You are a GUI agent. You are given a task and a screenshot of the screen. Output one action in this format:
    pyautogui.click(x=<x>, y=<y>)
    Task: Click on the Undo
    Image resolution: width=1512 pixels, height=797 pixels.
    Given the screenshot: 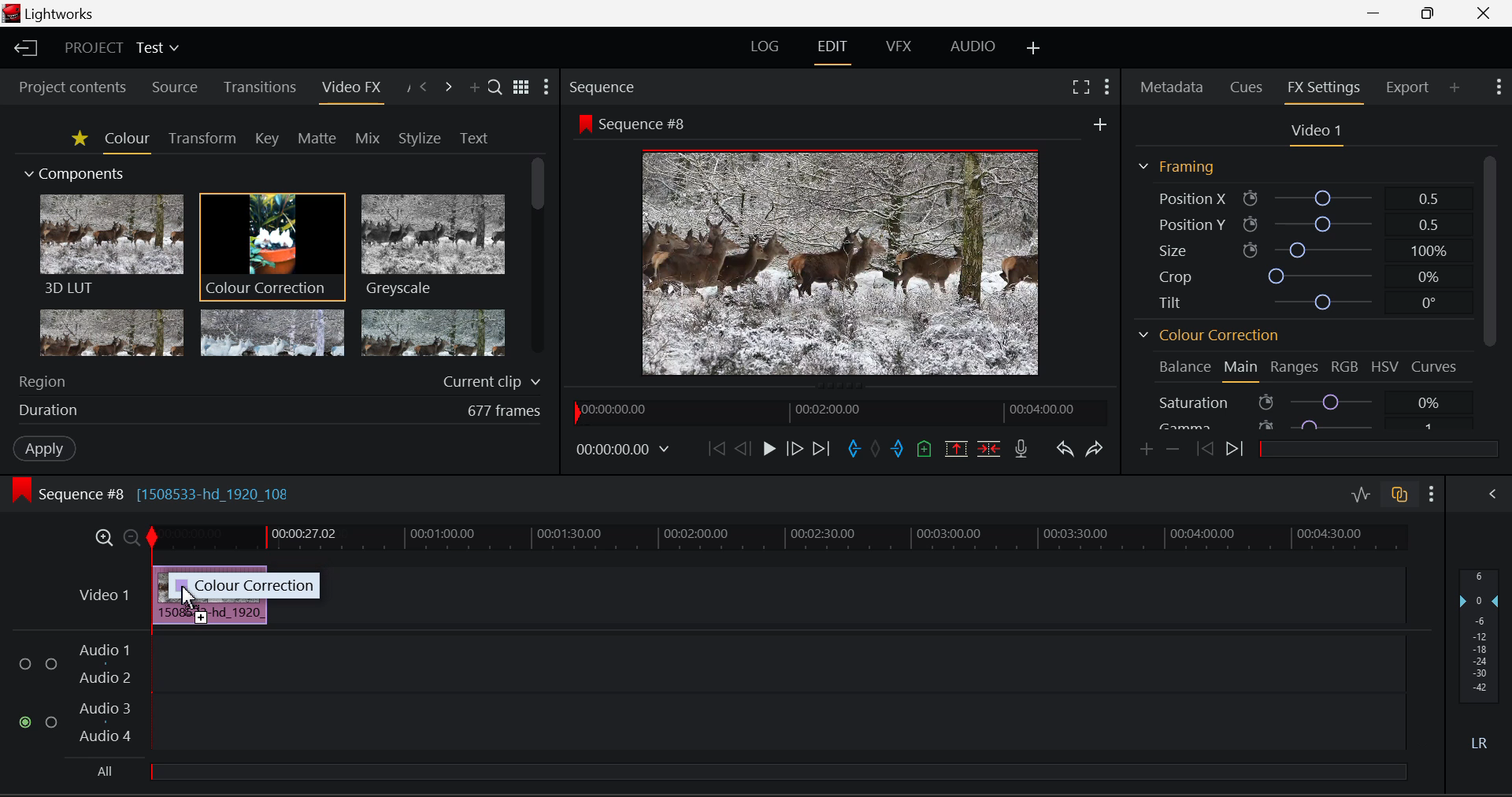 What is the action you would take?
    pyautogui.click(x=1066, y=450)
    